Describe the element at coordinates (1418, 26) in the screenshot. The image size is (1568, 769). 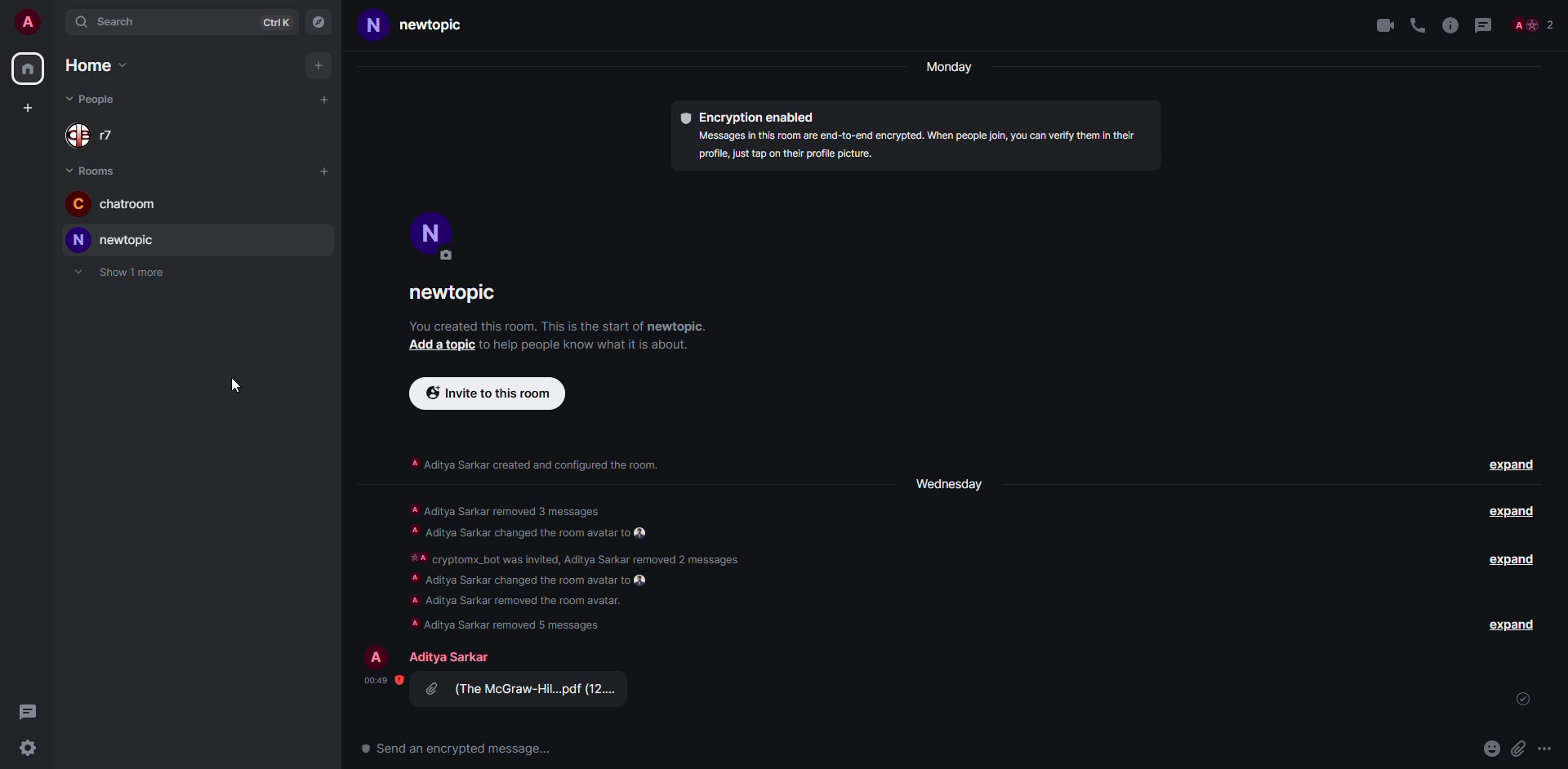
I see `voice` at that location.